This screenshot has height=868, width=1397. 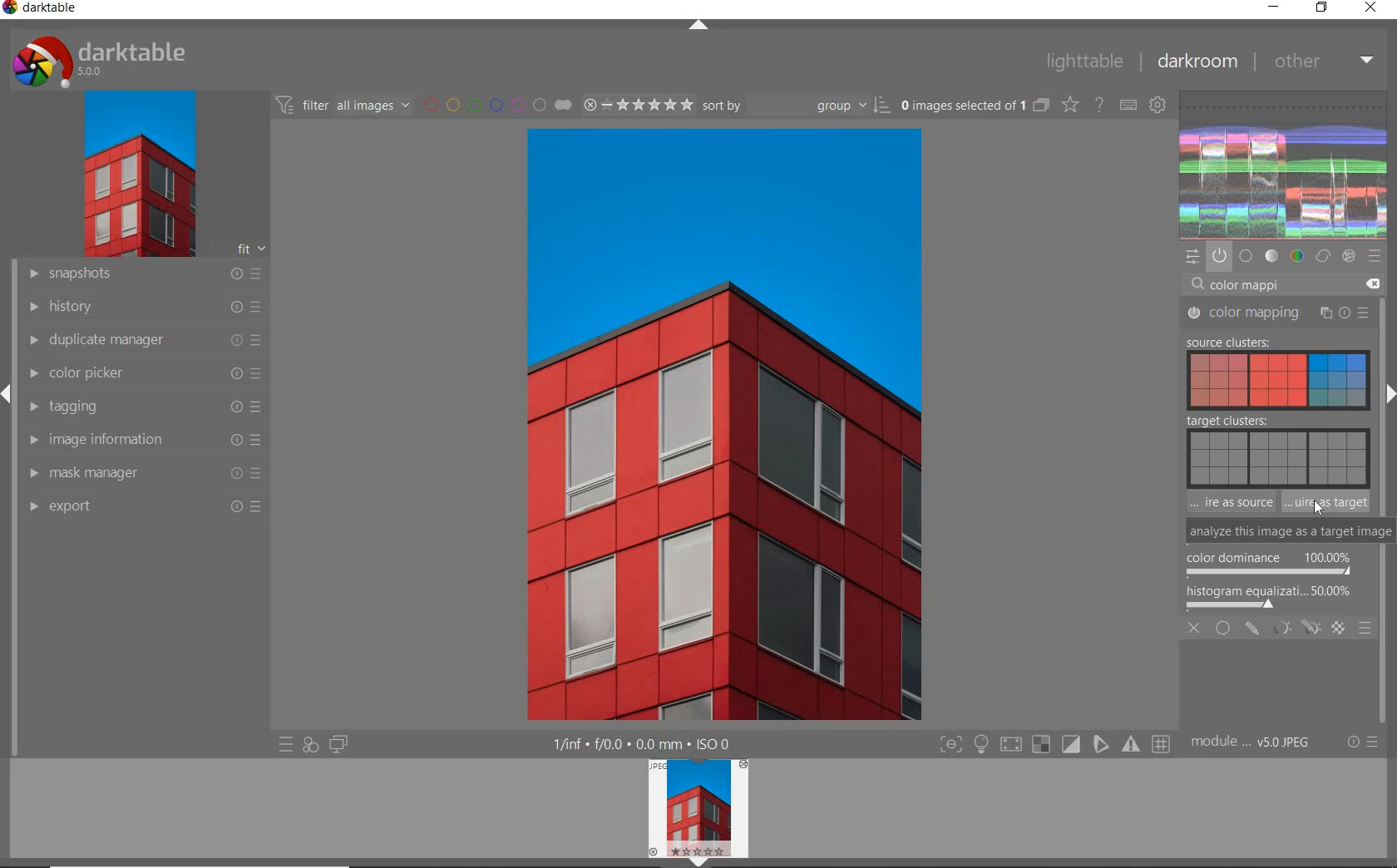 What do you see at coordinates (143, 407) in the screenshot?
I see `tagging` at bounding box center [143, 407].